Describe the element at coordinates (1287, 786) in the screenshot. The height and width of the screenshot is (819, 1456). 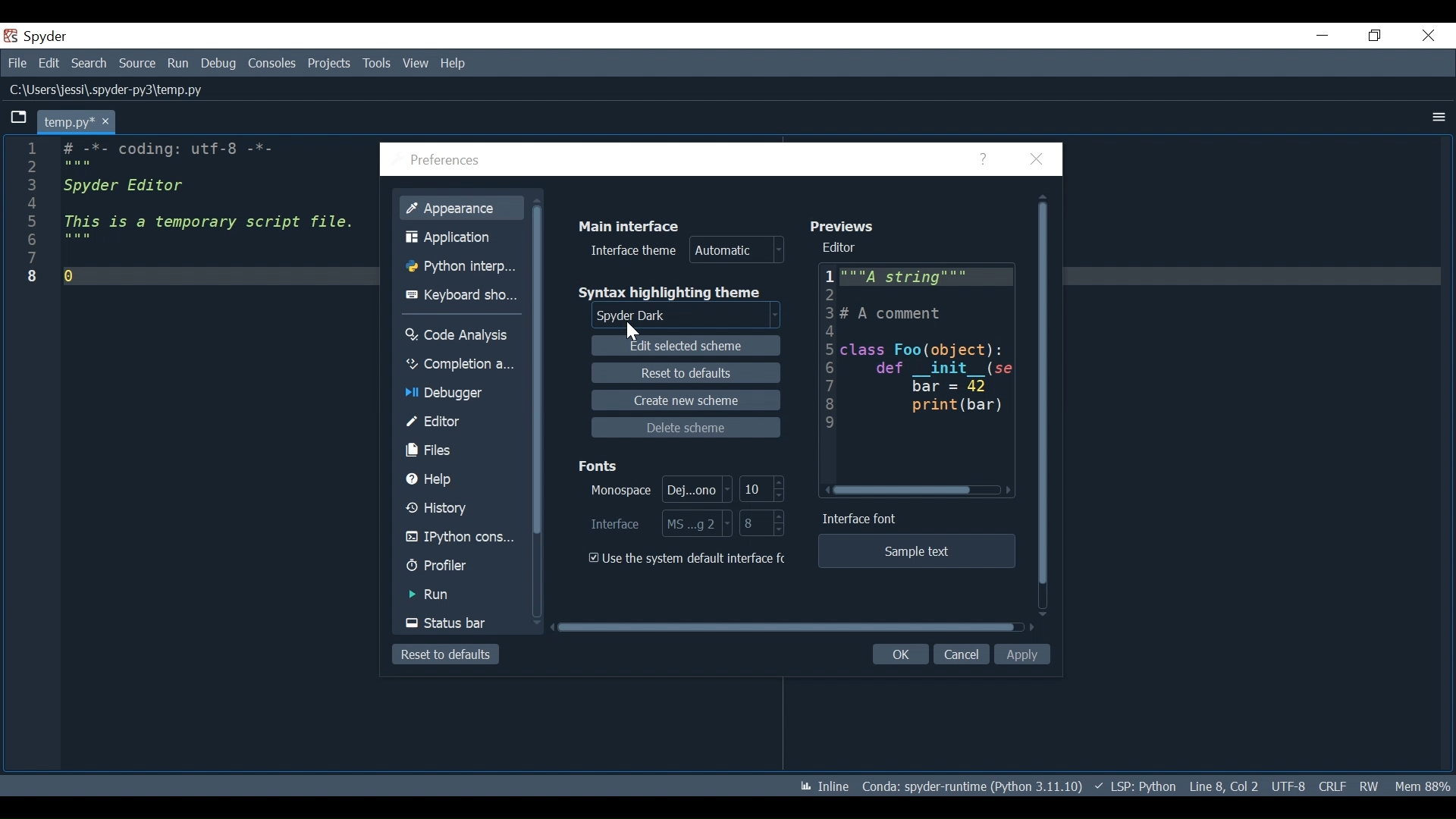
I see `File Encoding` at that location.